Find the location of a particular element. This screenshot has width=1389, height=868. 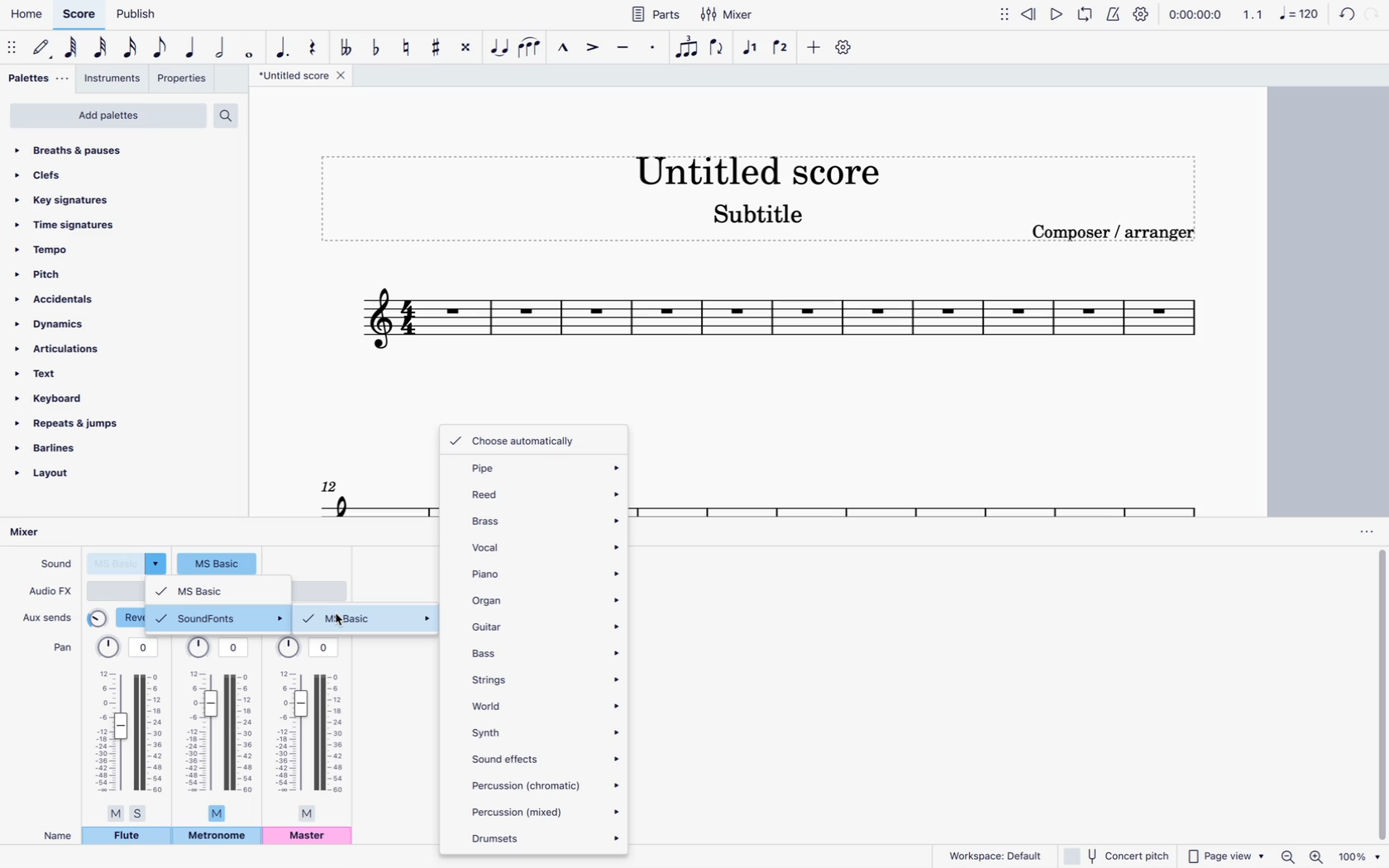

metronome is located at coordinates (1112, 13).